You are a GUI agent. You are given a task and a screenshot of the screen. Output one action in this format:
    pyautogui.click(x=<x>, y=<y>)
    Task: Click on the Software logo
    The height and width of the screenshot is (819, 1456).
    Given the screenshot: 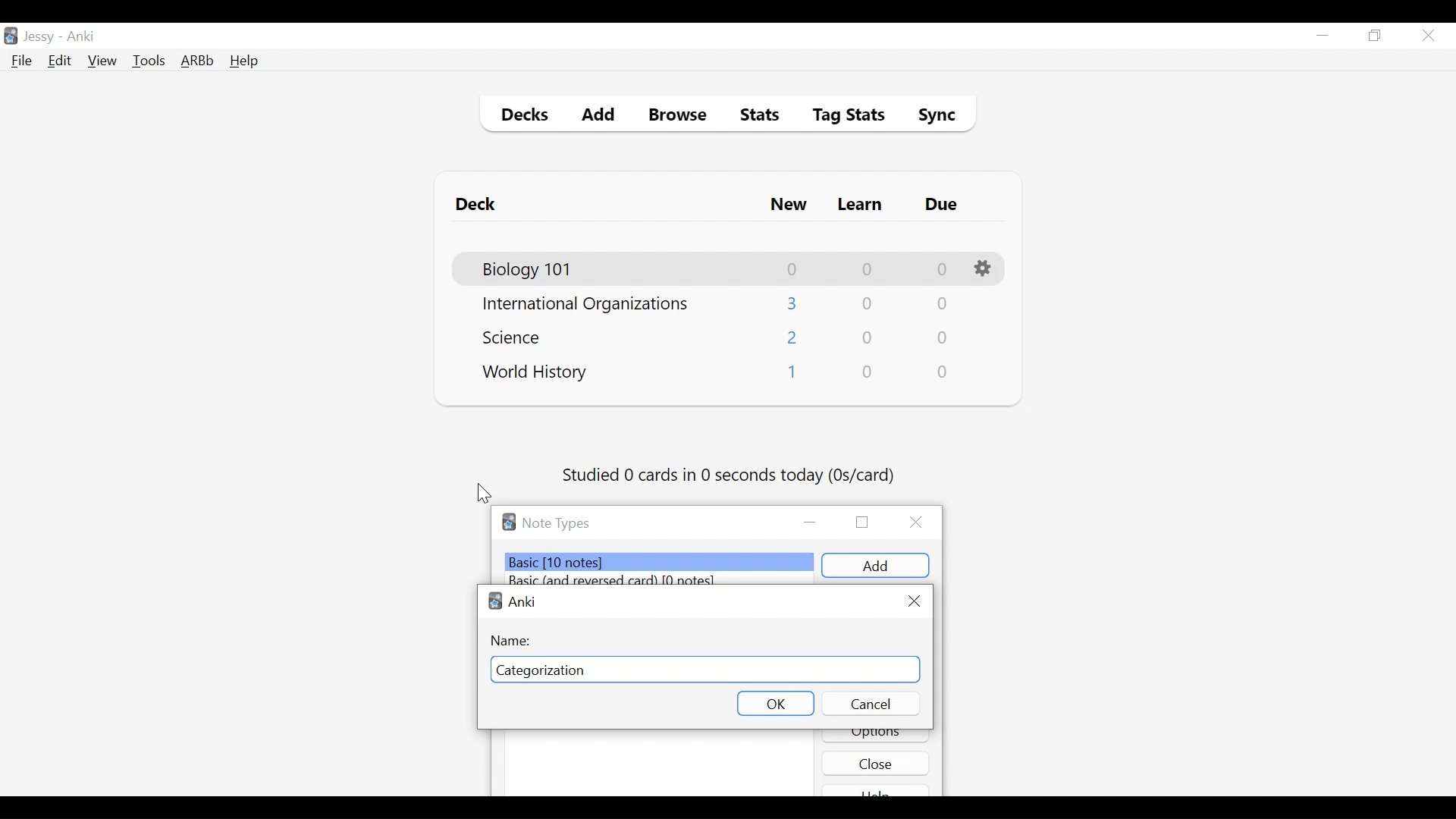 What is the action you would take?
    pyautogui.click(x=509, y=522)
    